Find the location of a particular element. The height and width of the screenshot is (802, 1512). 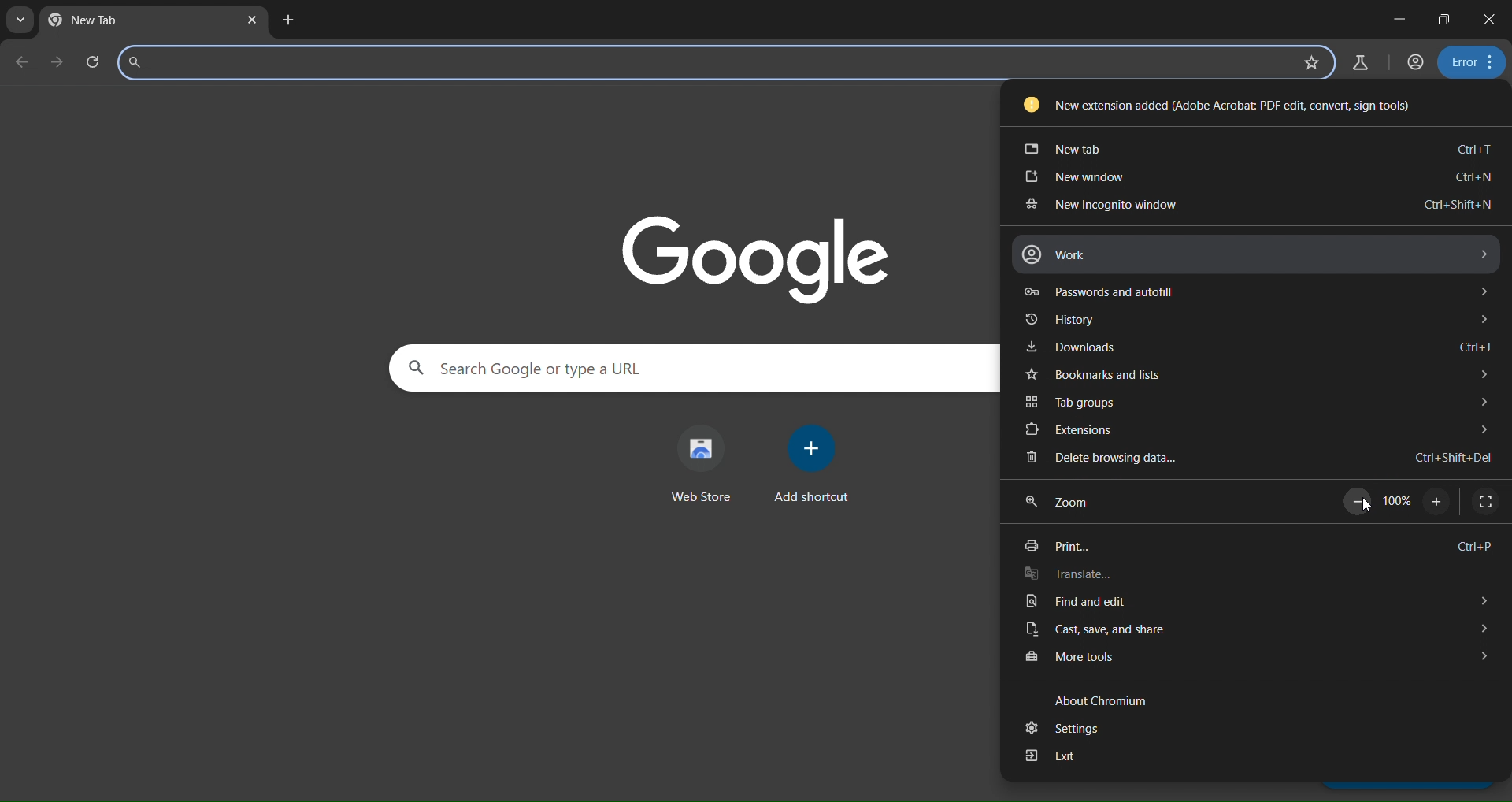

zoom is located at coordinates (1060, 503).